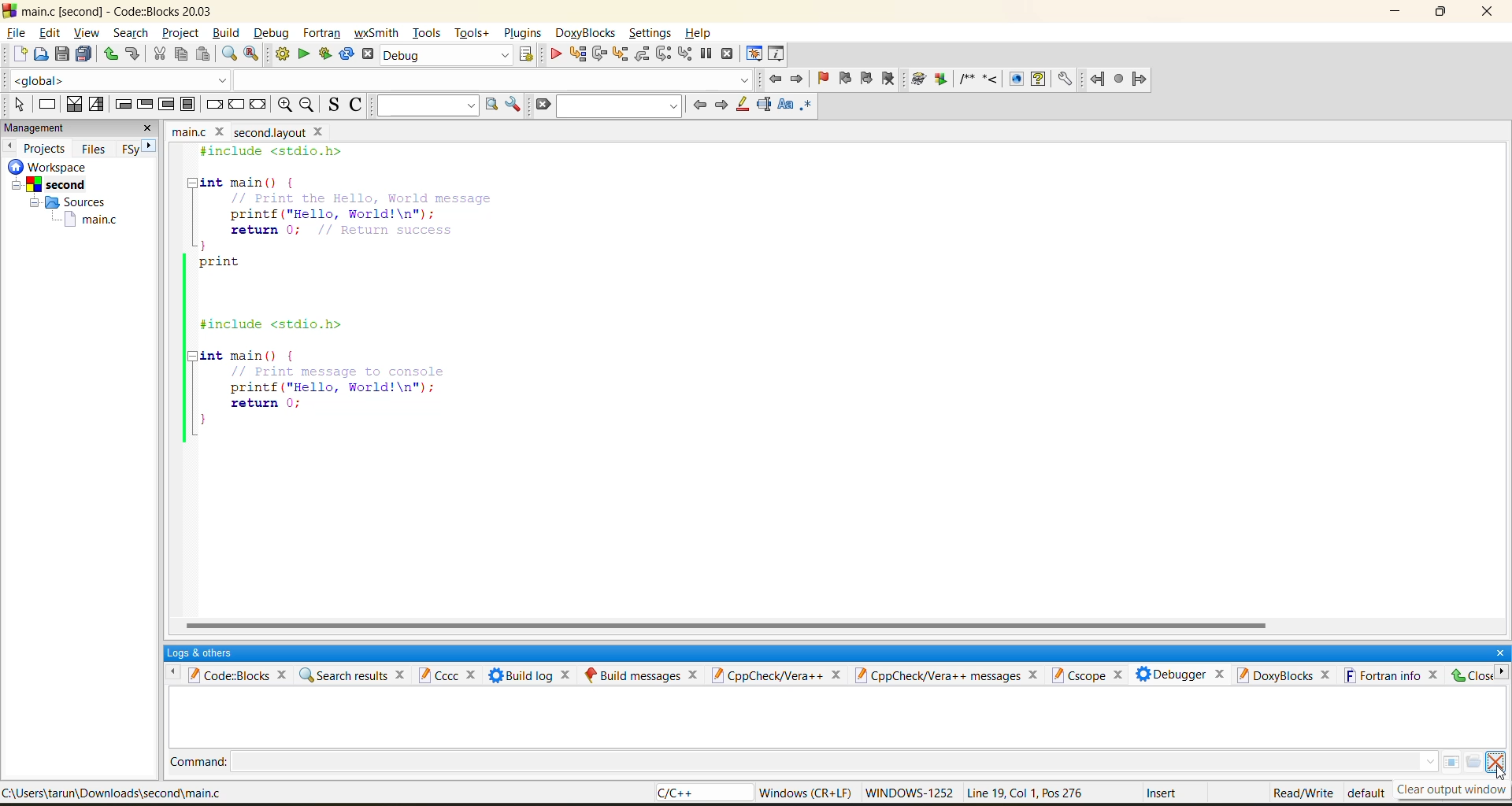 This screenshot has height=806, width=1512. Describe the element at coordinates (780, 78) in the screenshot. I see `jump back` at that location.